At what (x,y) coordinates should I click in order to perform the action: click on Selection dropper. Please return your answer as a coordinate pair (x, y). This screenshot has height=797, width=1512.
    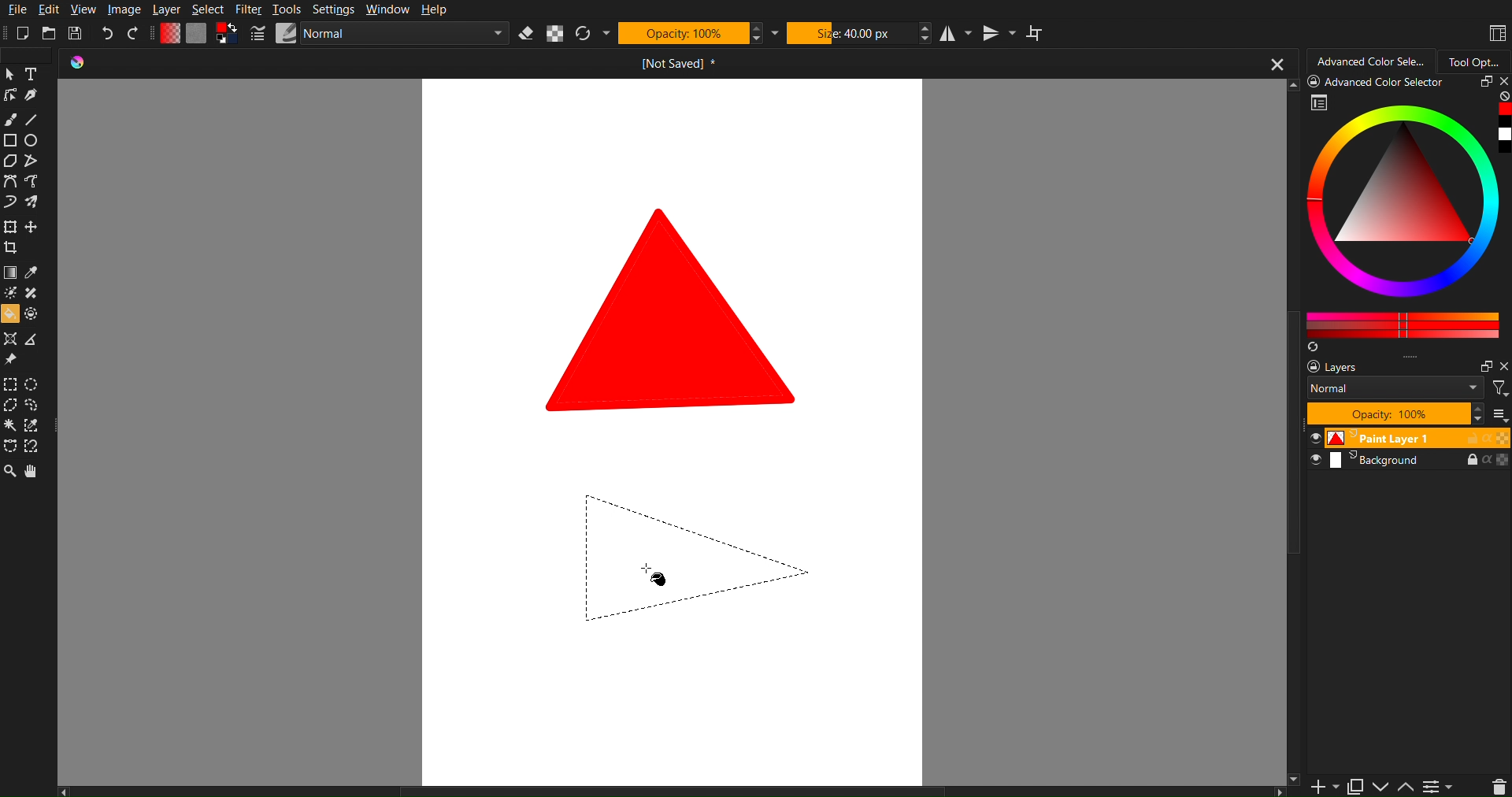
    Looking at the image, I should click on (32, 426).